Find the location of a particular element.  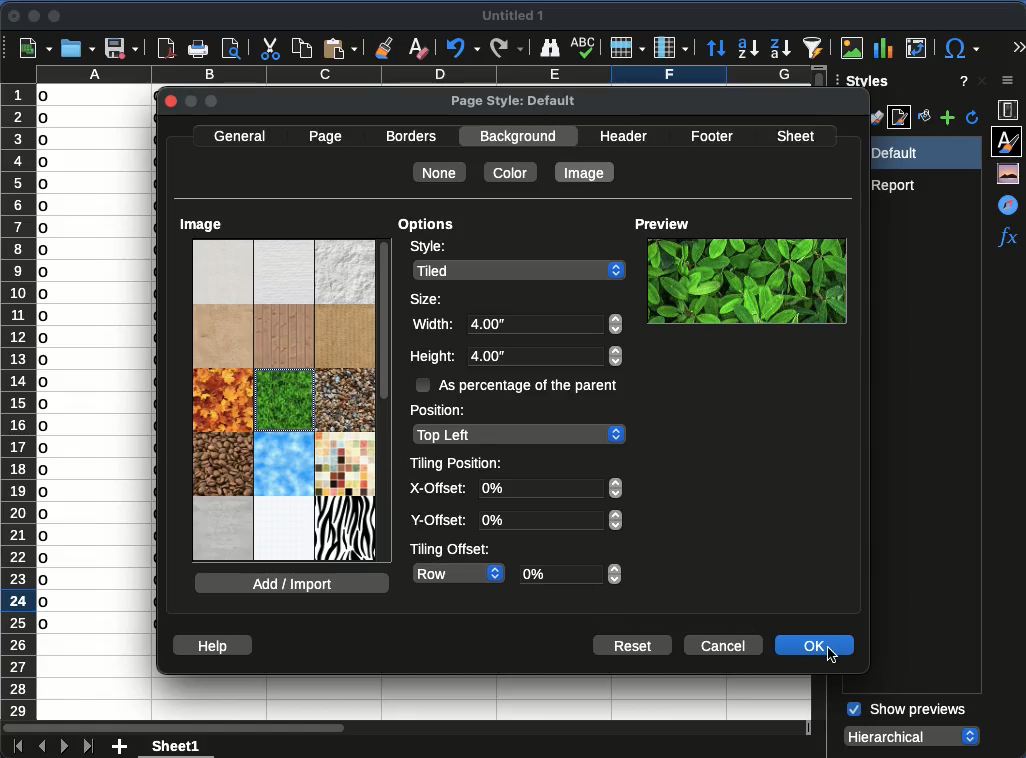

maximize is located at coordinates (56, 17).